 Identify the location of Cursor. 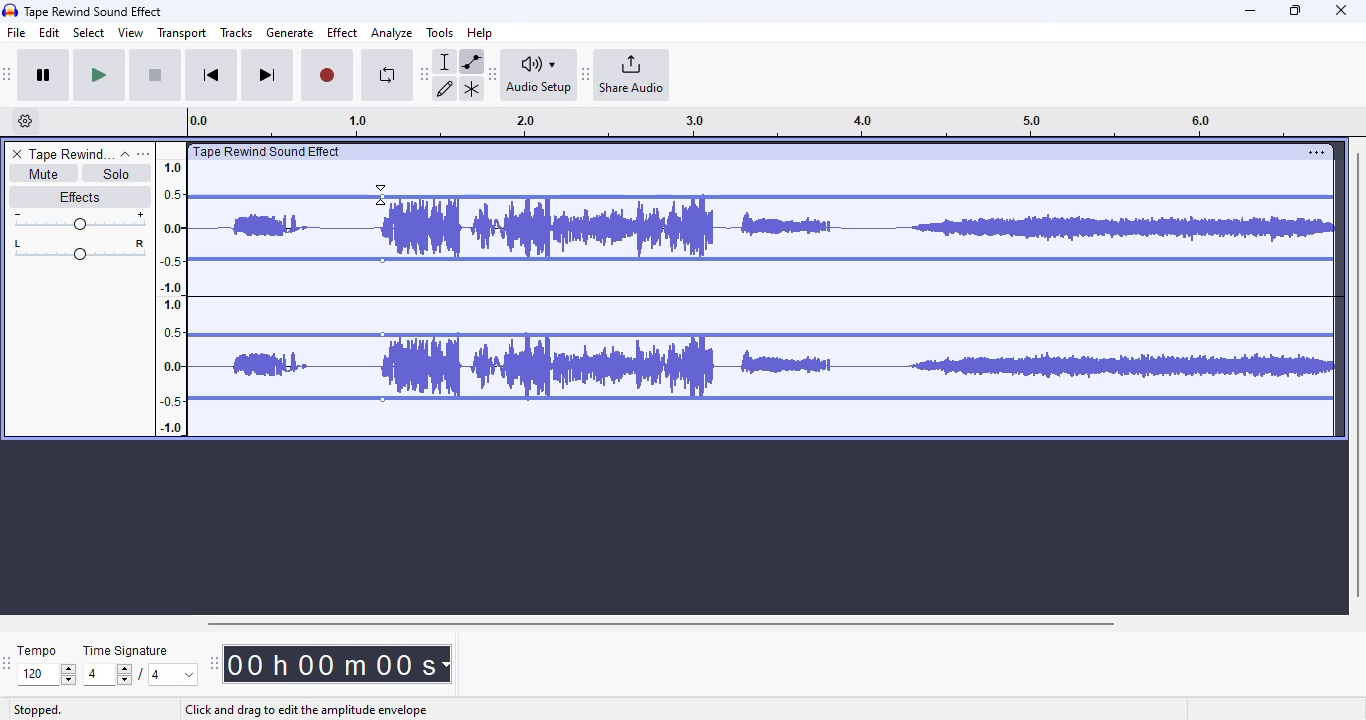
(379, 194).